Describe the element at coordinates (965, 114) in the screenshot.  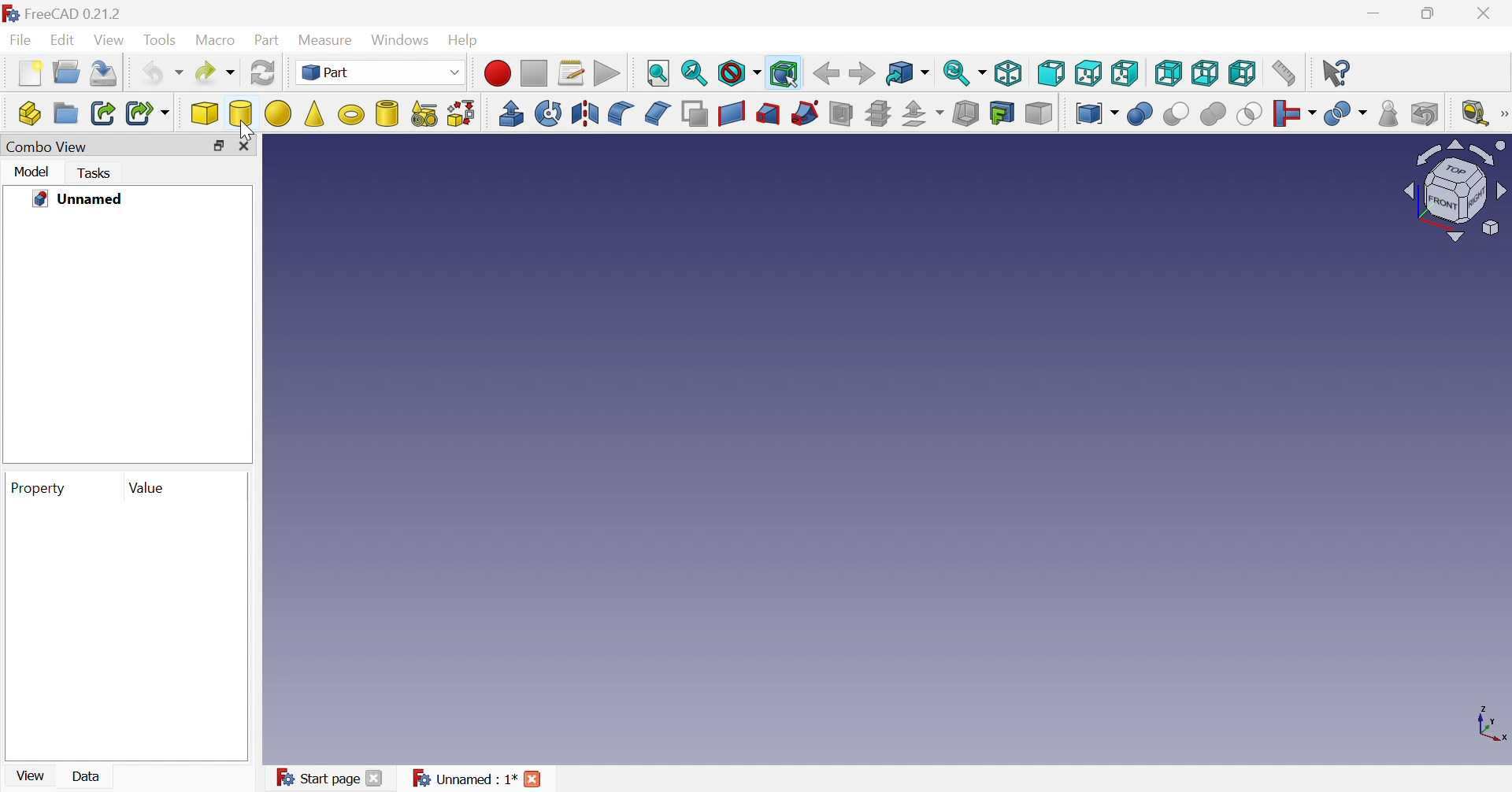
I see `Thickness` at that location.